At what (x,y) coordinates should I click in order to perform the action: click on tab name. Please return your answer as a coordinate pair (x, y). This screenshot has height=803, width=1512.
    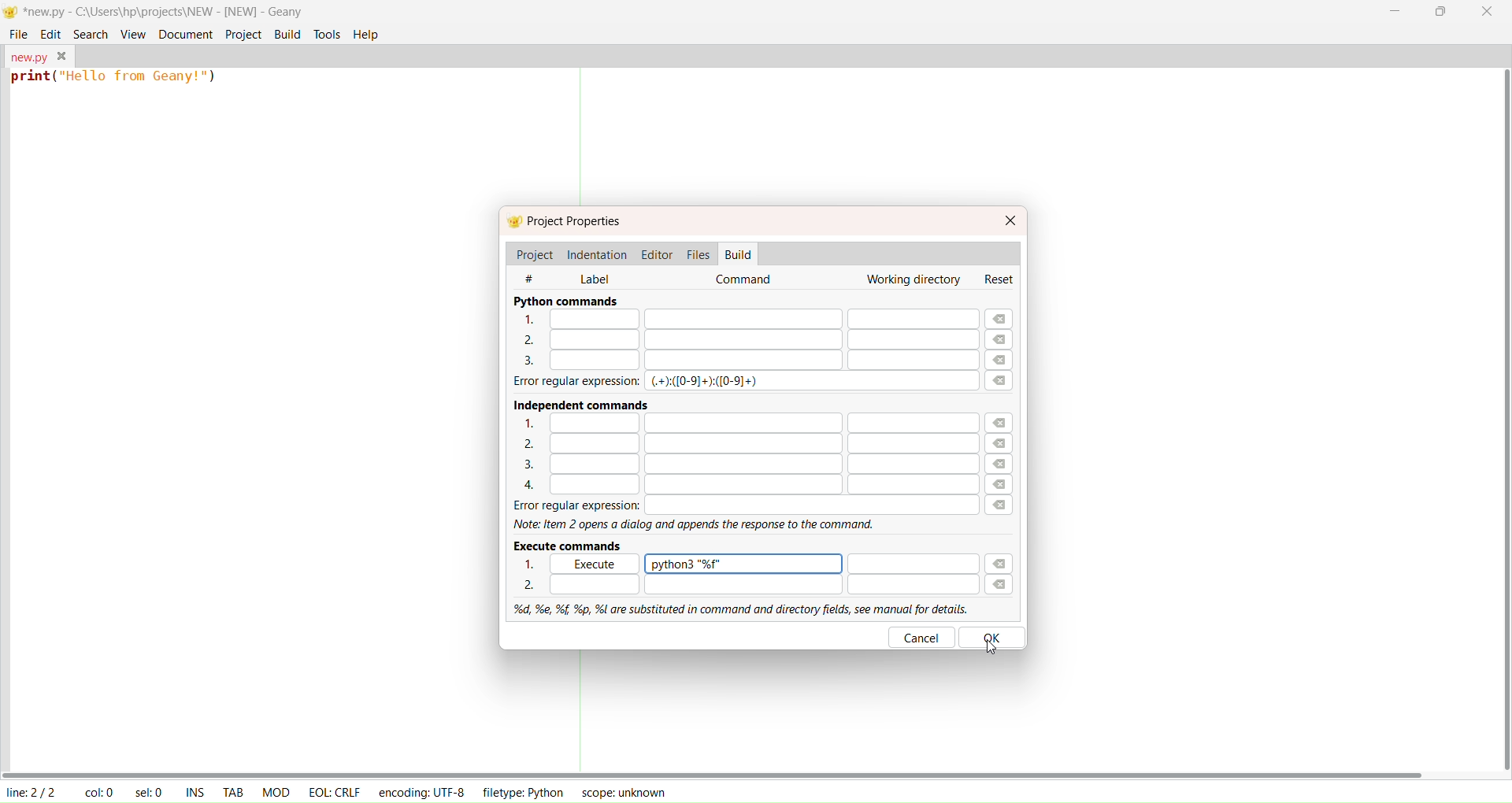
    Looking at the image, I should click on (27, 55).